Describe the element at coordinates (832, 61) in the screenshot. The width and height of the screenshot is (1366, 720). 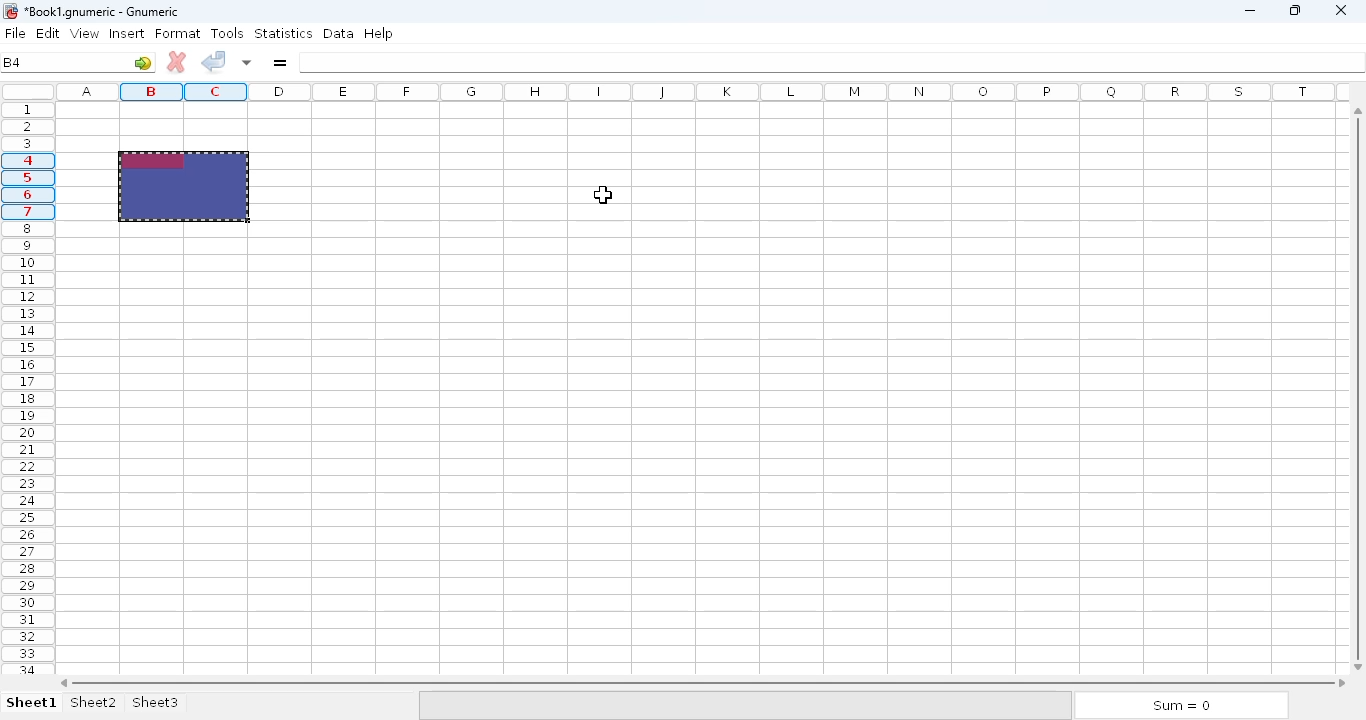
I see `formula bar` at that location.